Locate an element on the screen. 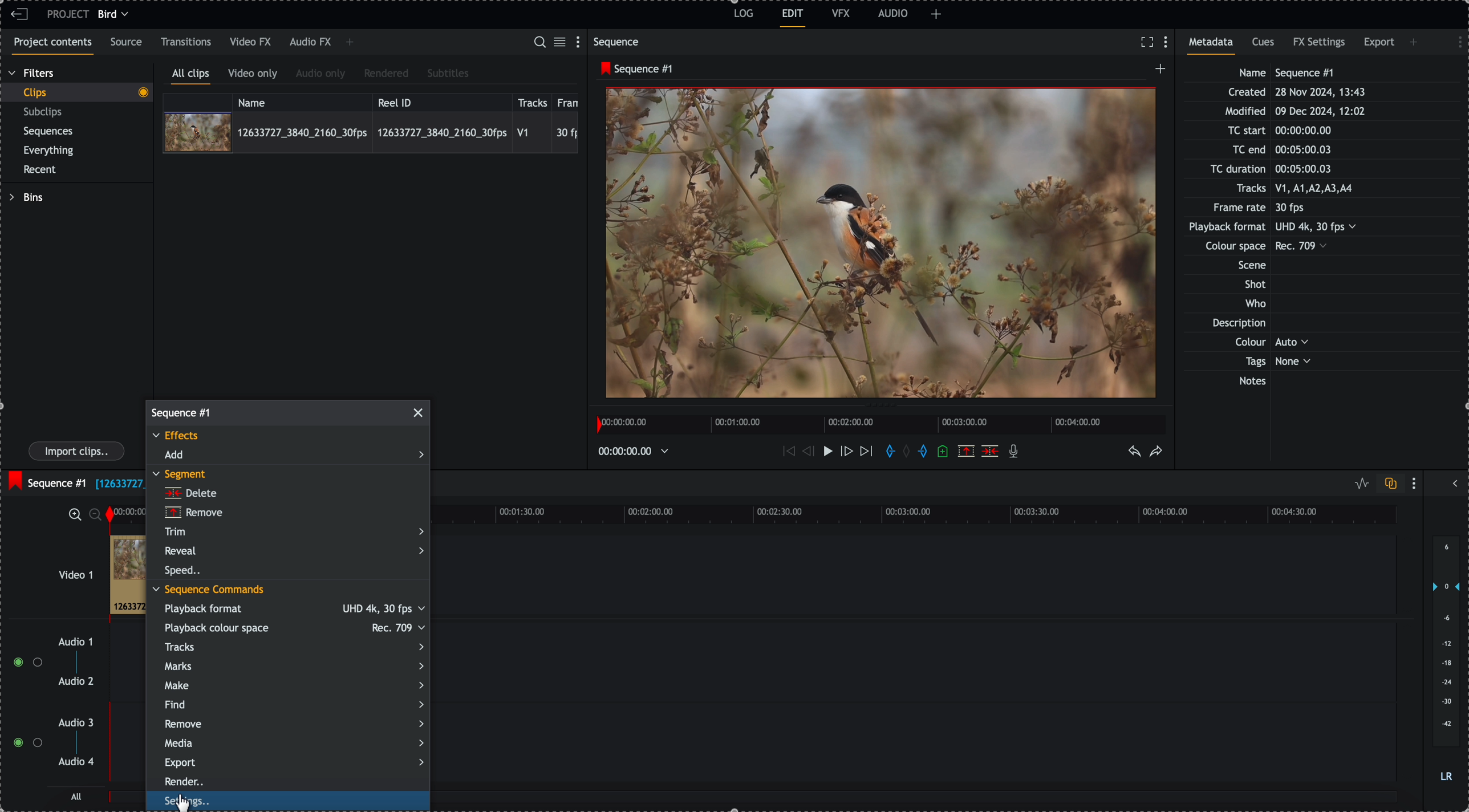 This screenshot has width=1469, height=812. audio FX is located at coordinates (310, 43).